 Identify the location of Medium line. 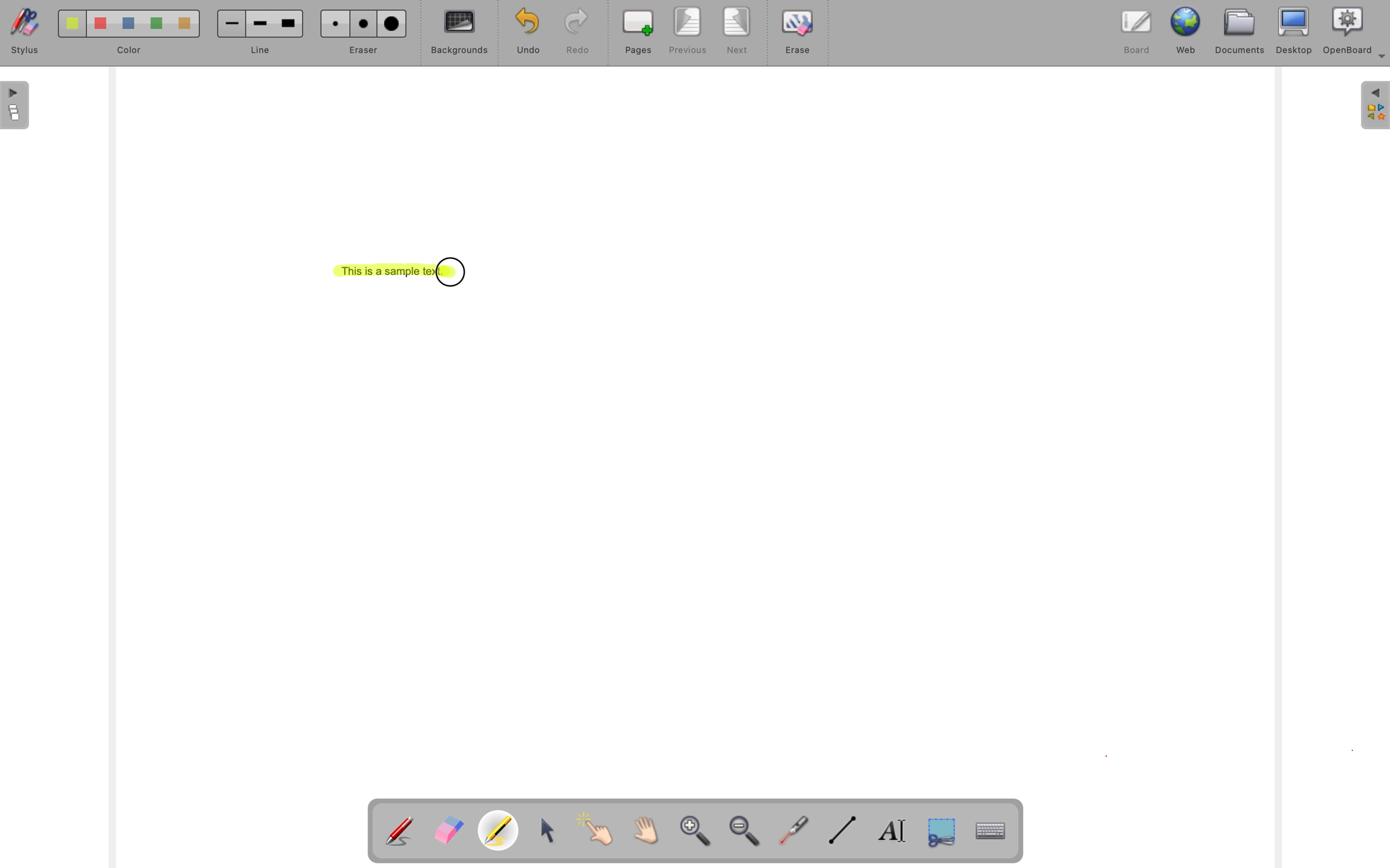
(261, 24).